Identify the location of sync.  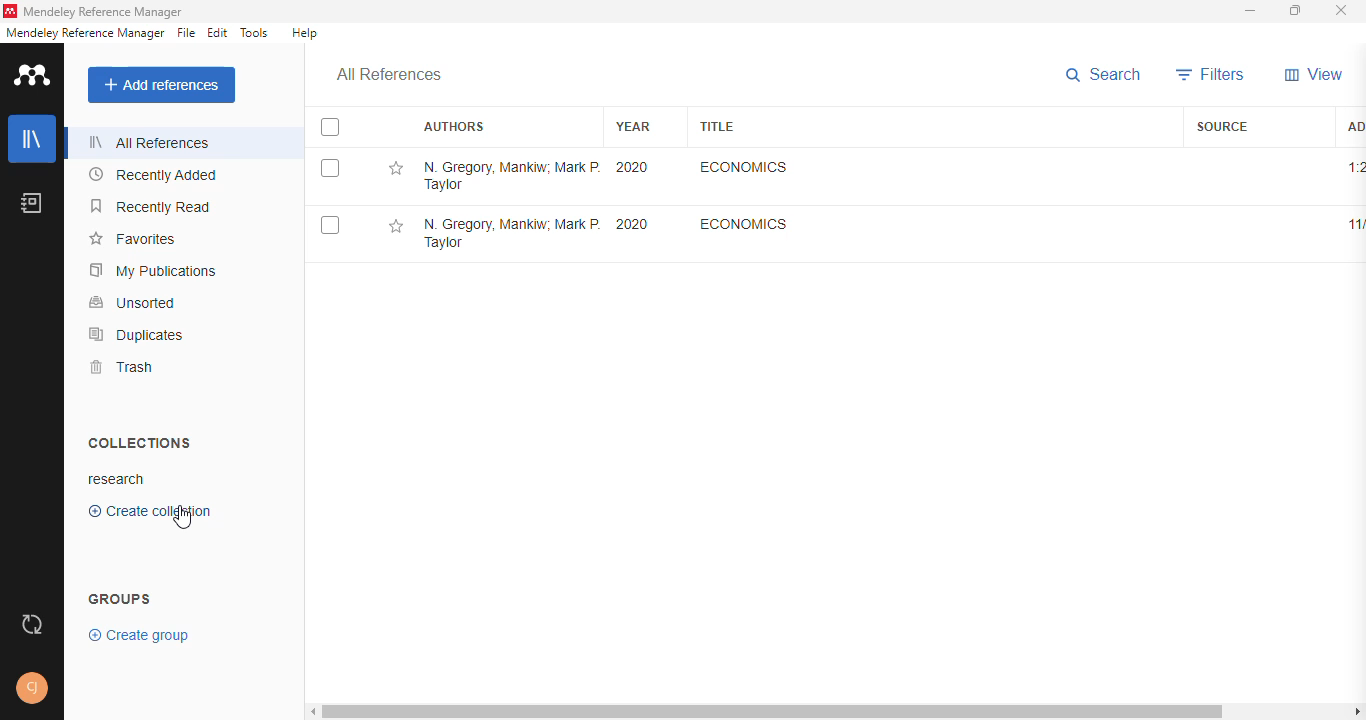
(32, 625).